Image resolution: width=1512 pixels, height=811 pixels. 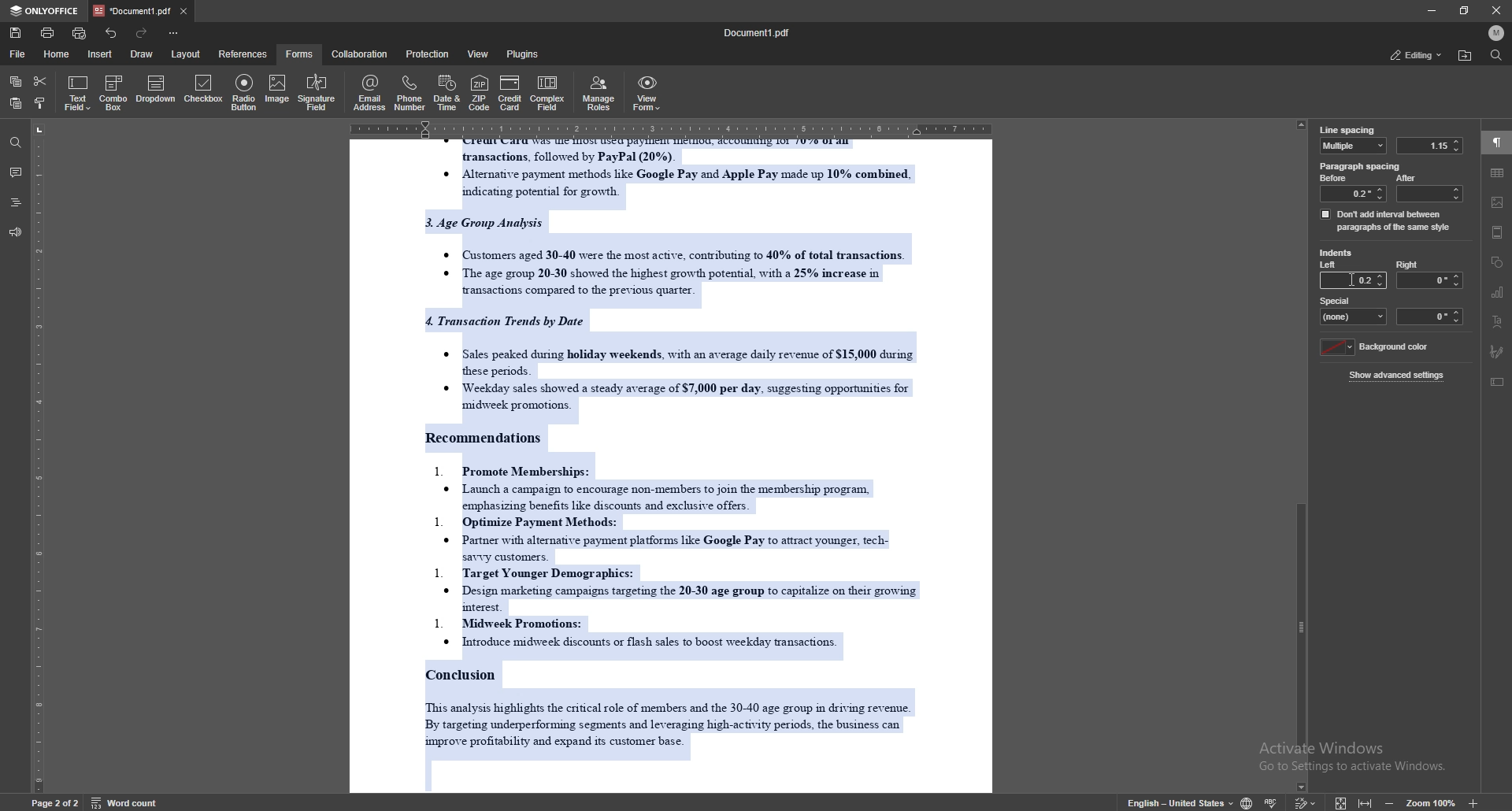 I want to click on scroll bar, so click(x=1304, y=455).